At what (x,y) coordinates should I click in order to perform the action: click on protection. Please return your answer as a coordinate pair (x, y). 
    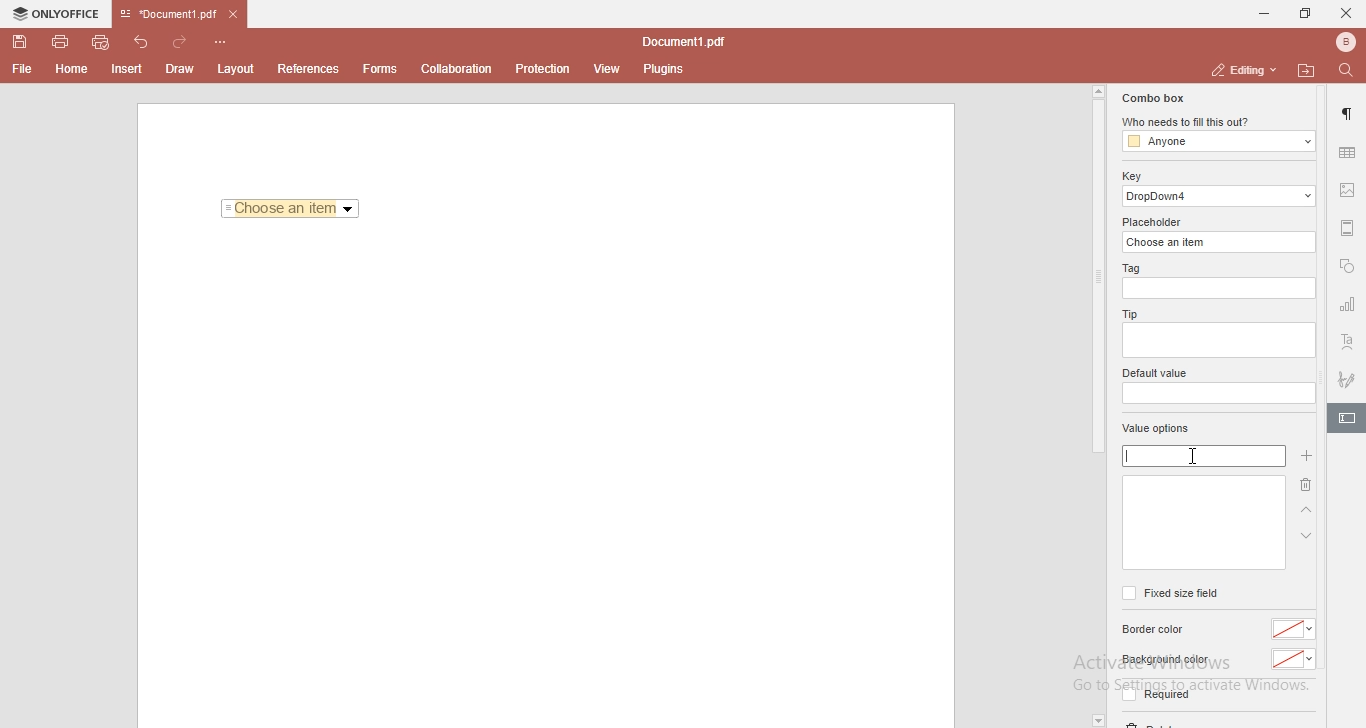
    Looking at the image, I should click on (543, 68).